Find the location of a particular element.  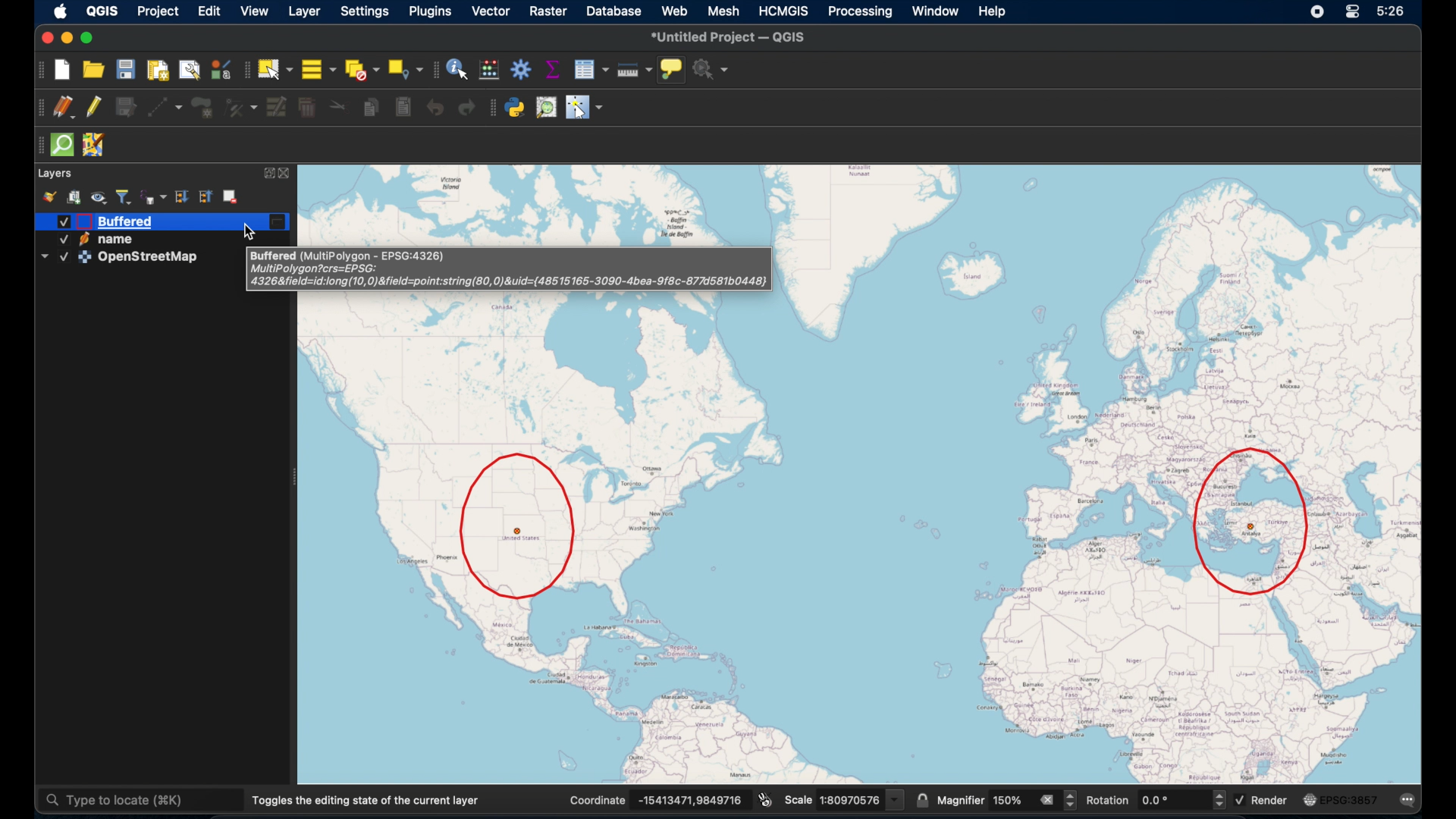

drop down is located at coordinates (896, 799).